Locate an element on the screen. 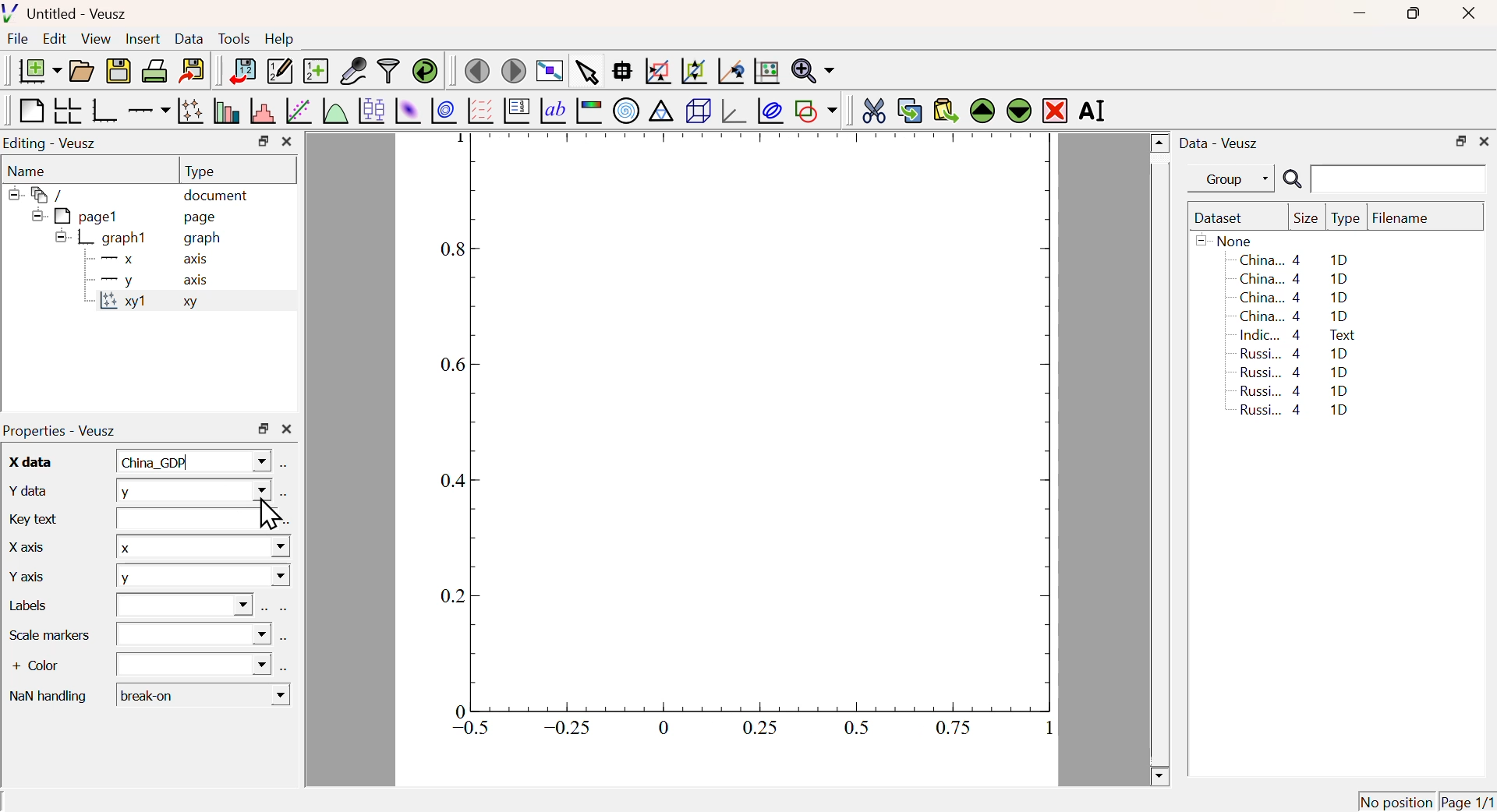 Image resolution: width=1497 pixels, height=812 pixels. Cut is located at coordinates (873, 109).